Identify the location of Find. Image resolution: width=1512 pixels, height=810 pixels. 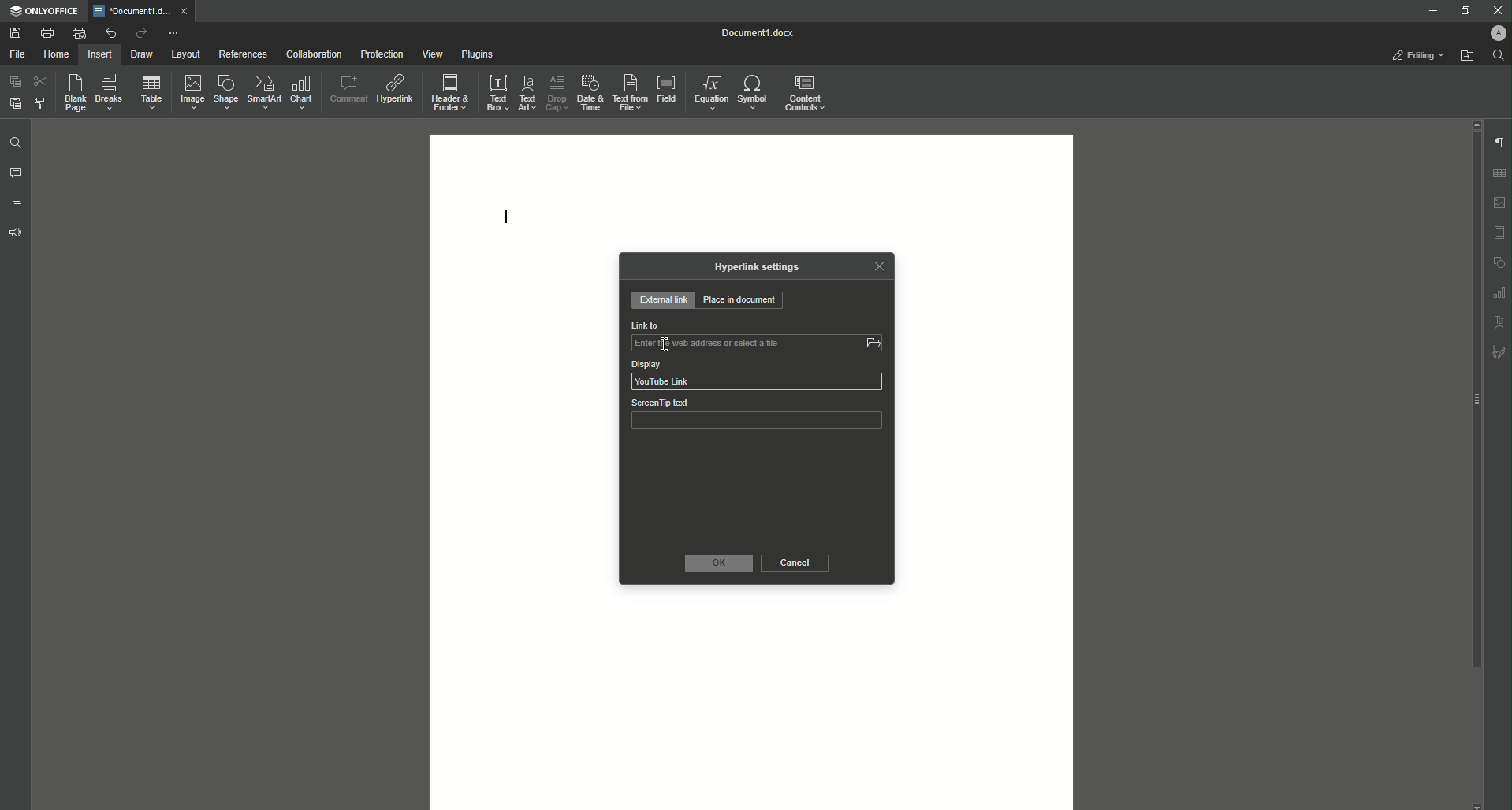
(16, 143).